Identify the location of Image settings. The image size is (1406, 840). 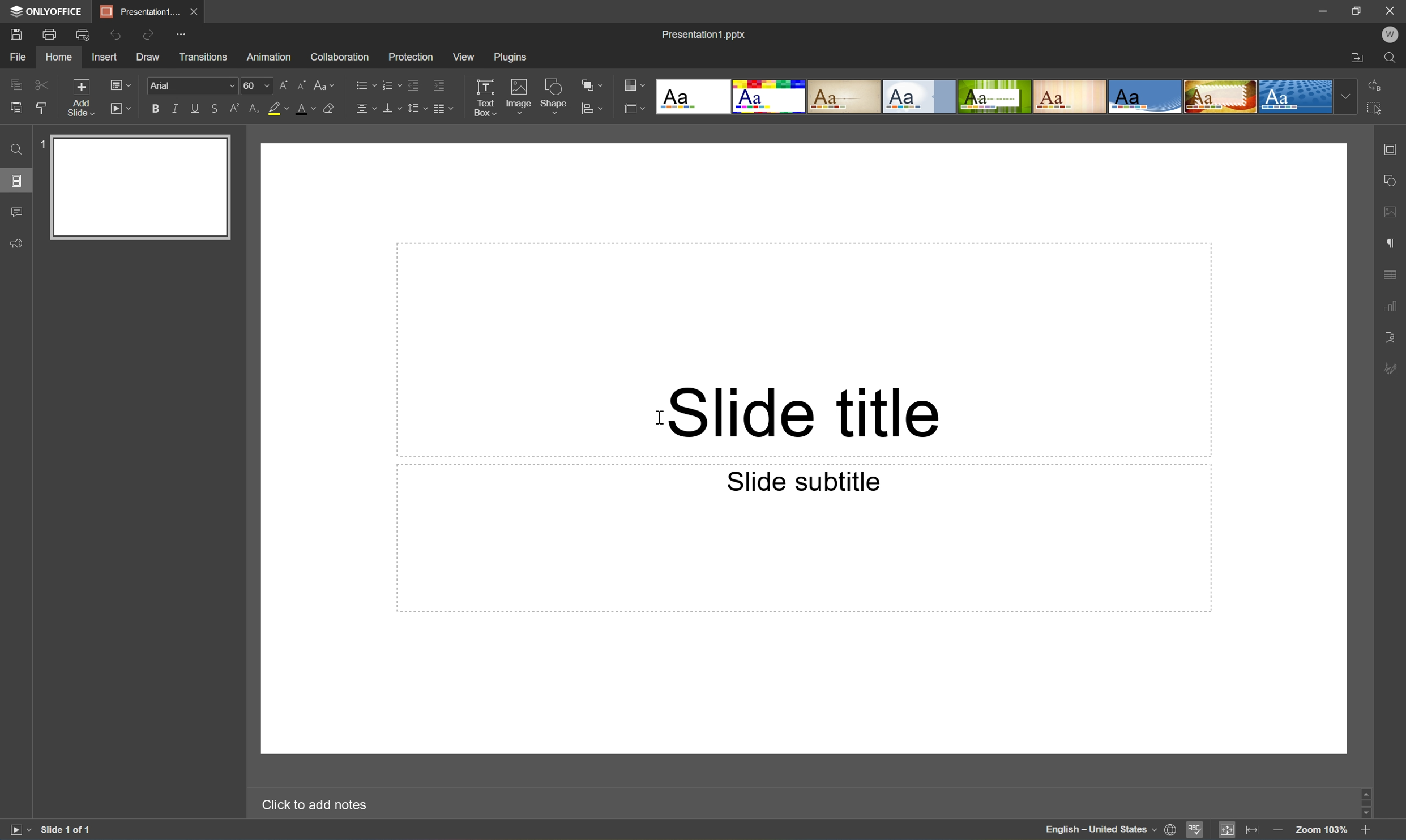
(1395, 213).